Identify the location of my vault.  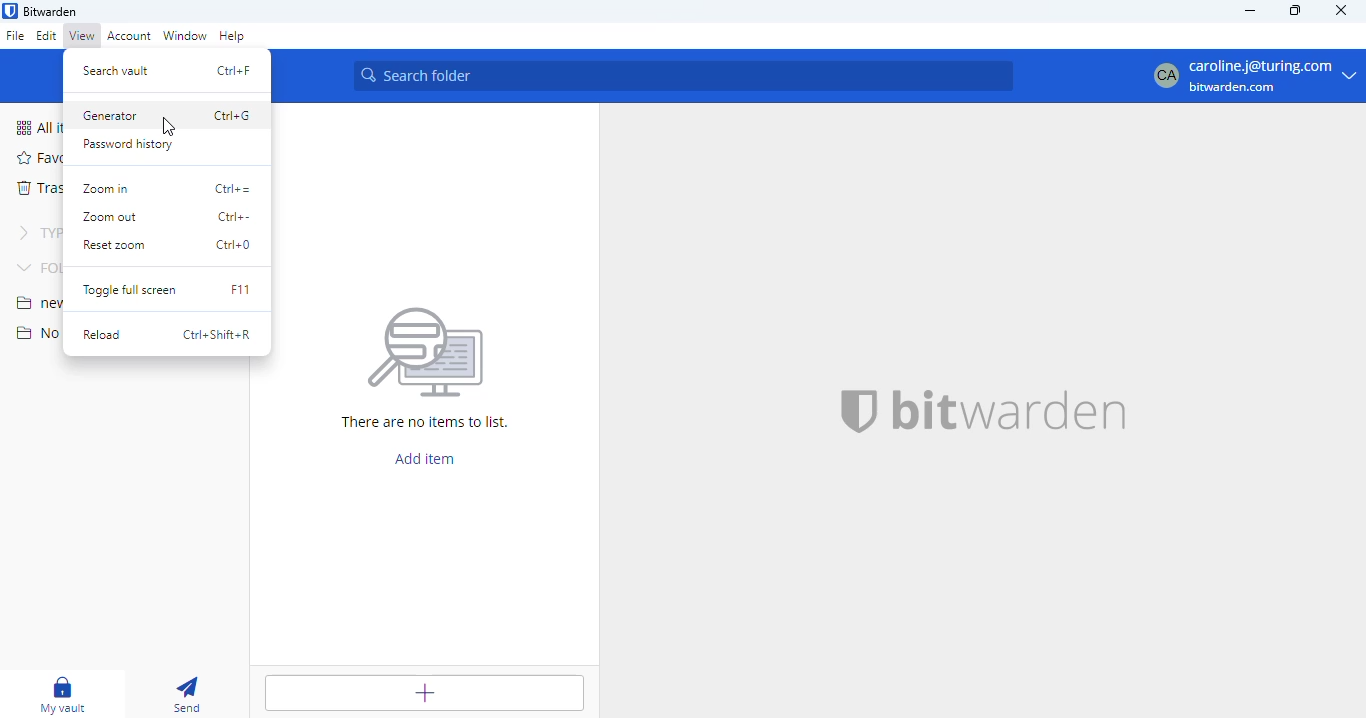
(64, 695).